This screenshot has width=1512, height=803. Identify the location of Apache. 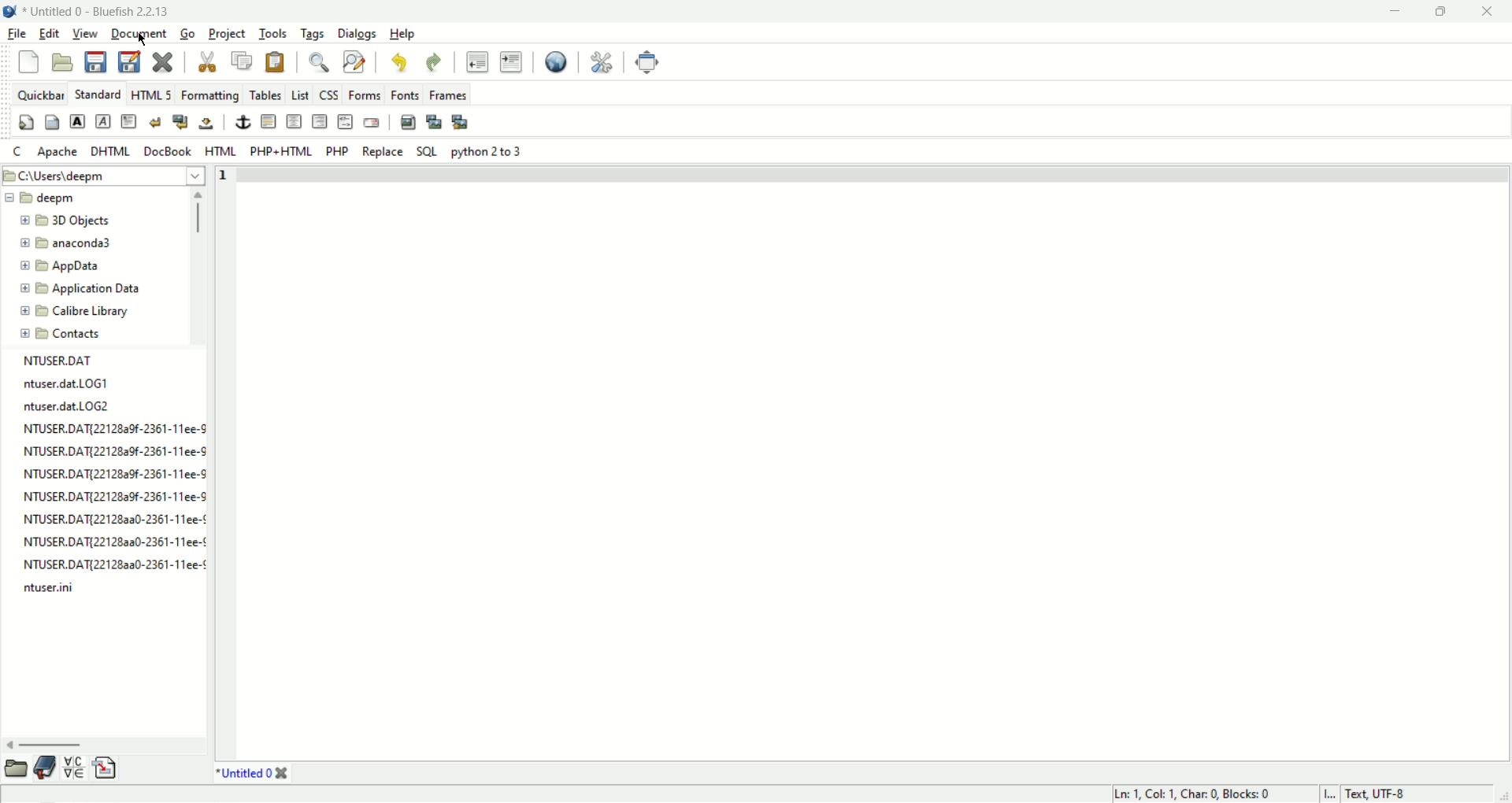
(59, 152).